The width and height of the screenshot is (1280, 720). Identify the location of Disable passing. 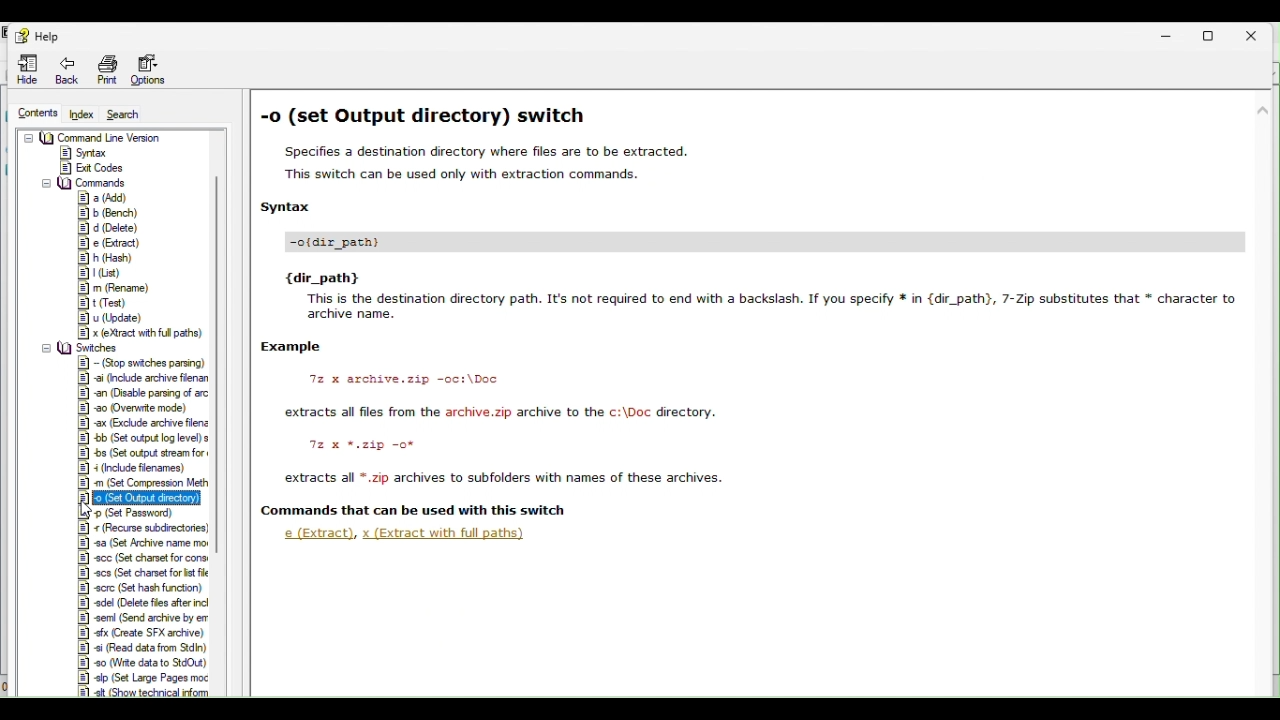
(139, 394).